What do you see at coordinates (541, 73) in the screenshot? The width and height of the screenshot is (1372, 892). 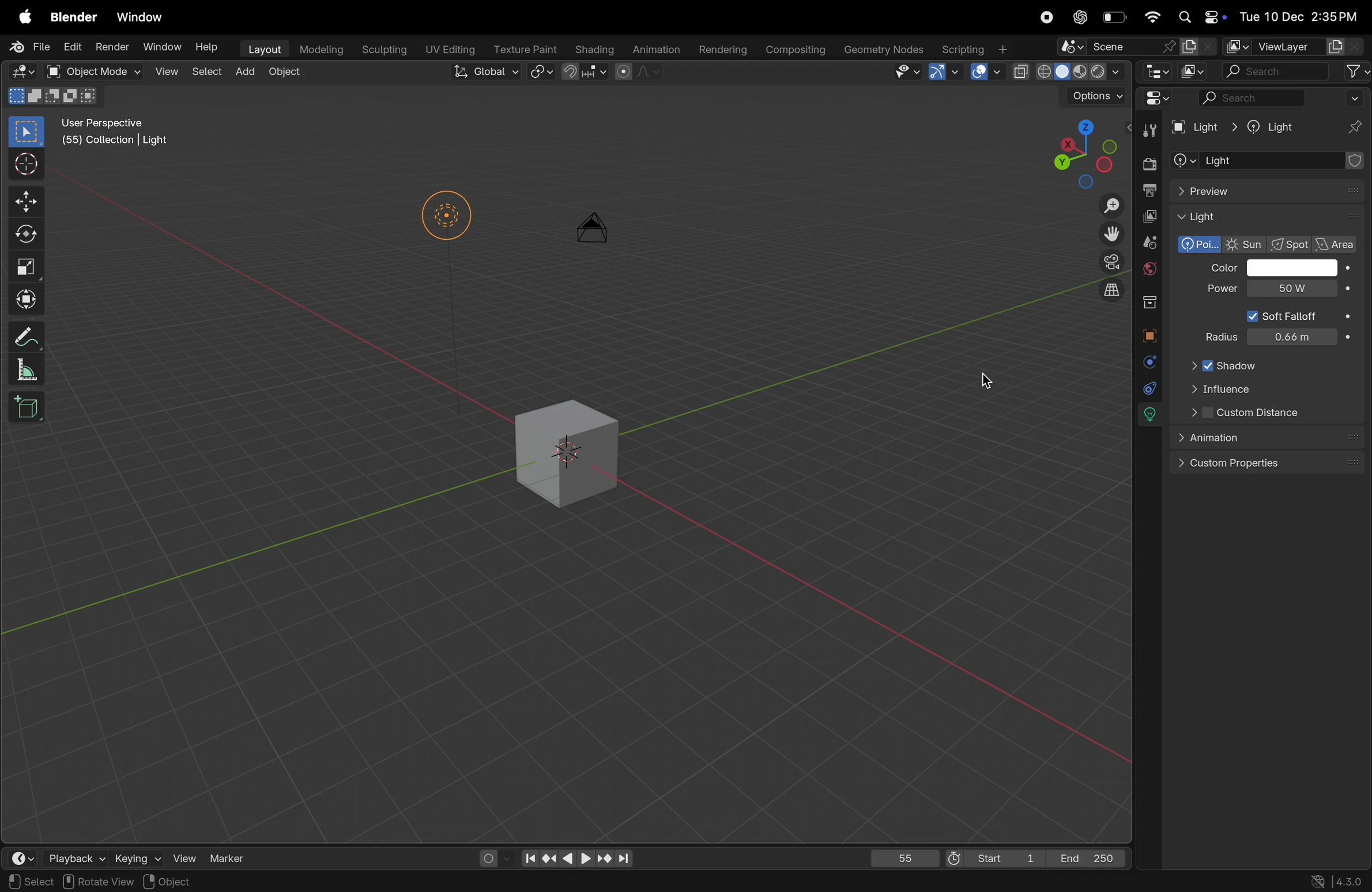 I see `snap` at bounding box center [541, 73].